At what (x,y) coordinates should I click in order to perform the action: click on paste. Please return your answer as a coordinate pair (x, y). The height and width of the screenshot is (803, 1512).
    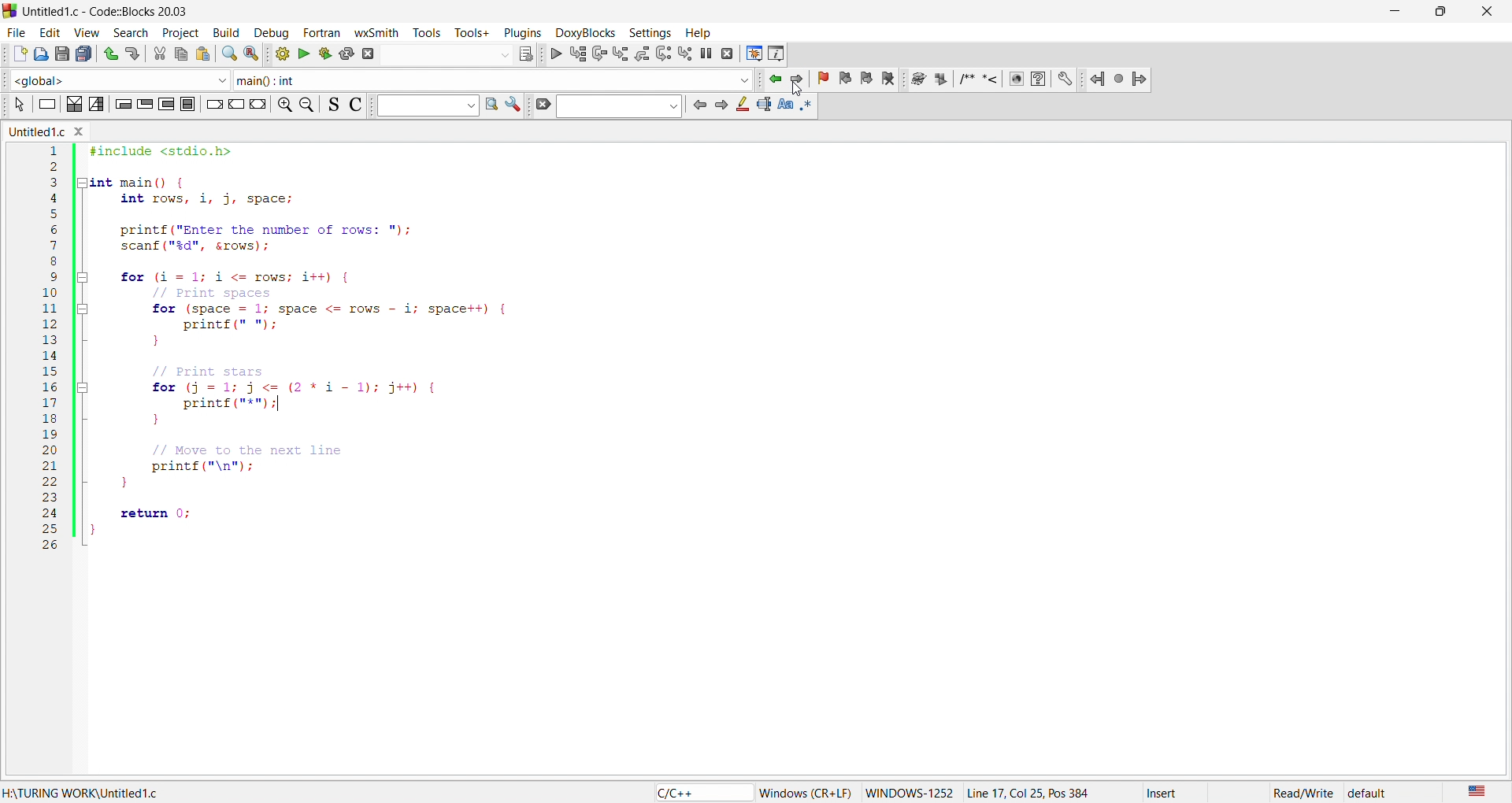
    Looking at the image, I should click on (201, 51).